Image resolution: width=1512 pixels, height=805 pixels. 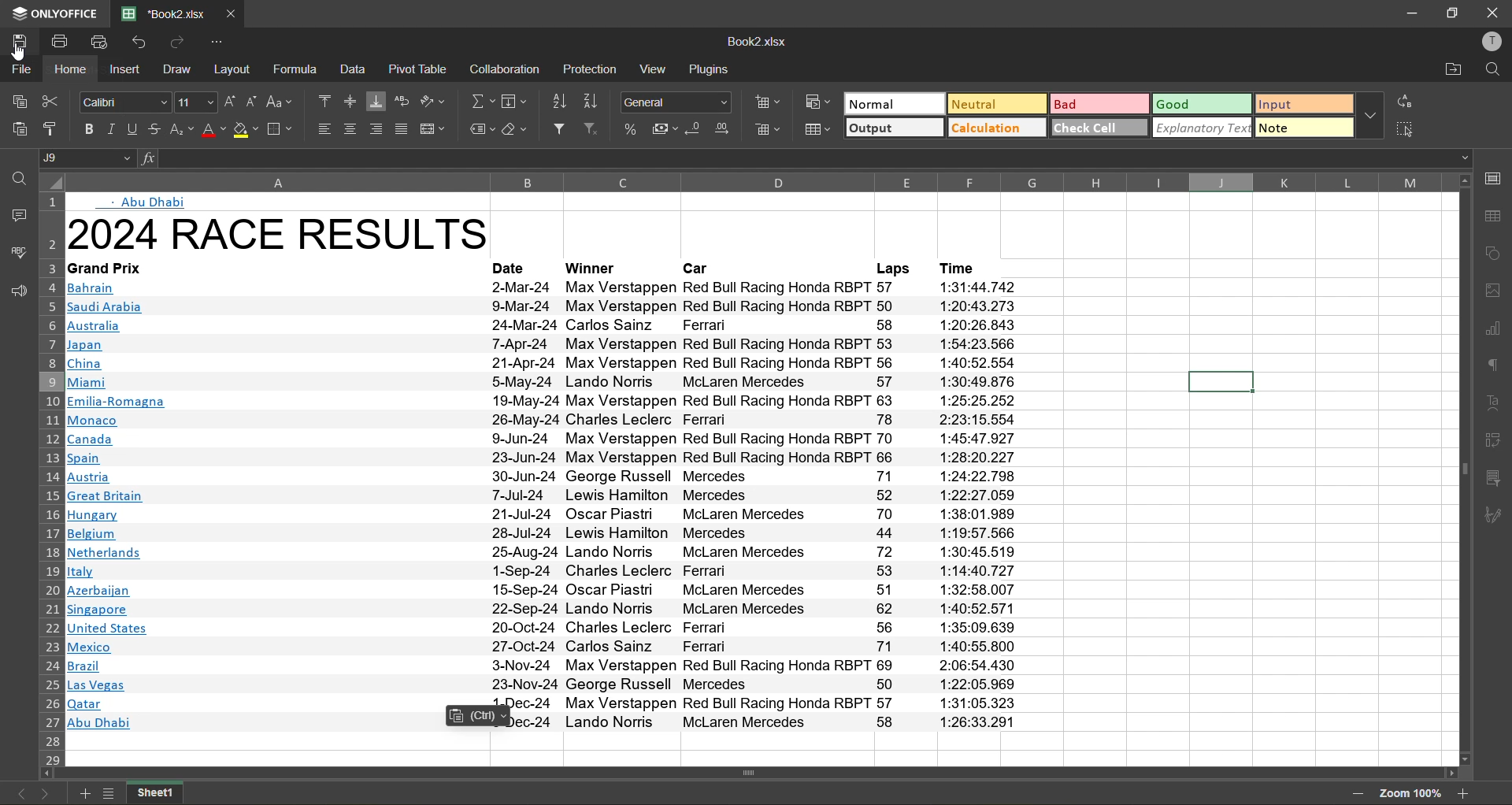 I want to click on laps, so click(x=898, y=267).